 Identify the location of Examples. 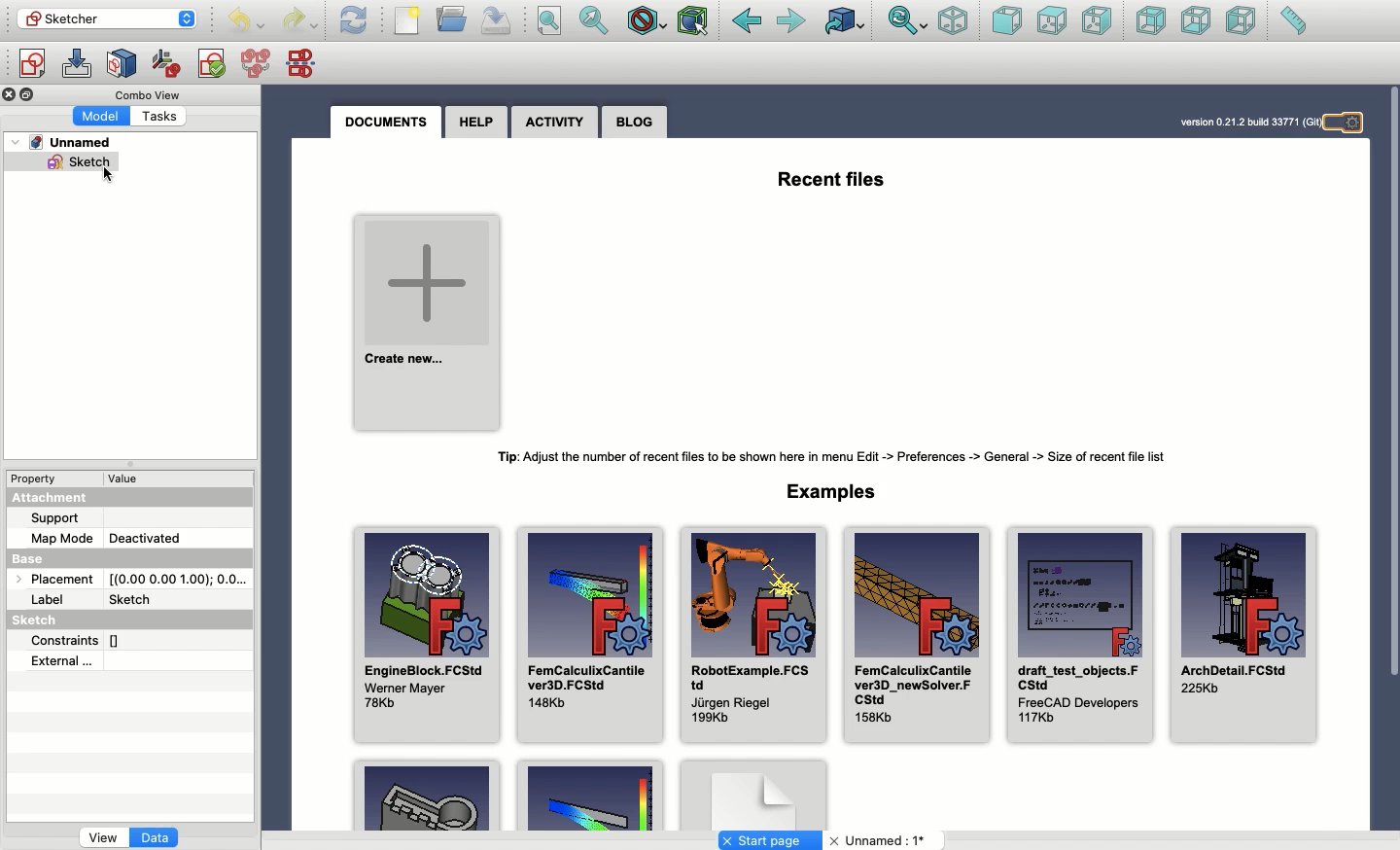
(837, 490).